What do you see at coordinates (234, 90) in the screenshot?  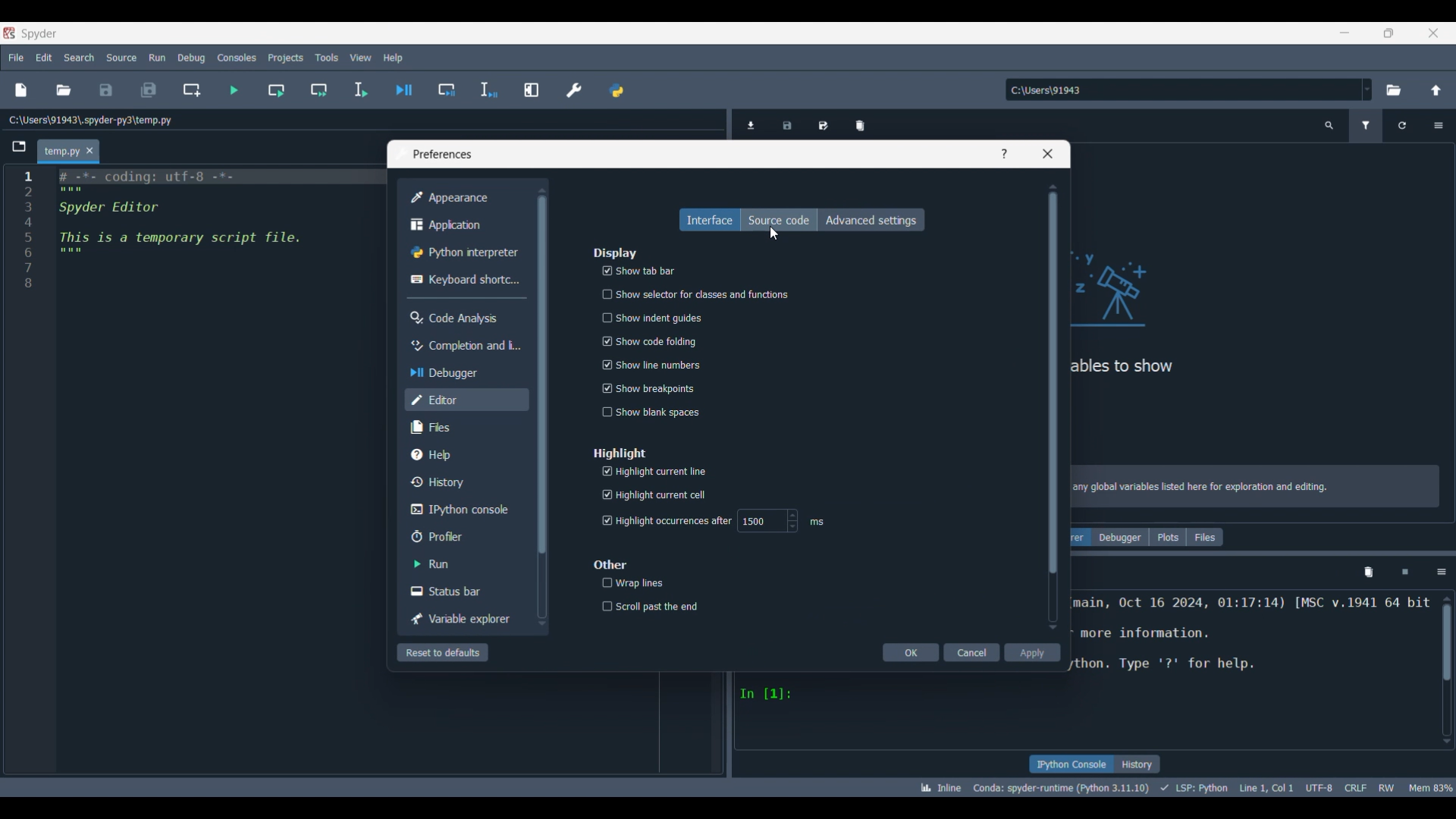 I see `Run file` at bounding box center [234, 90].